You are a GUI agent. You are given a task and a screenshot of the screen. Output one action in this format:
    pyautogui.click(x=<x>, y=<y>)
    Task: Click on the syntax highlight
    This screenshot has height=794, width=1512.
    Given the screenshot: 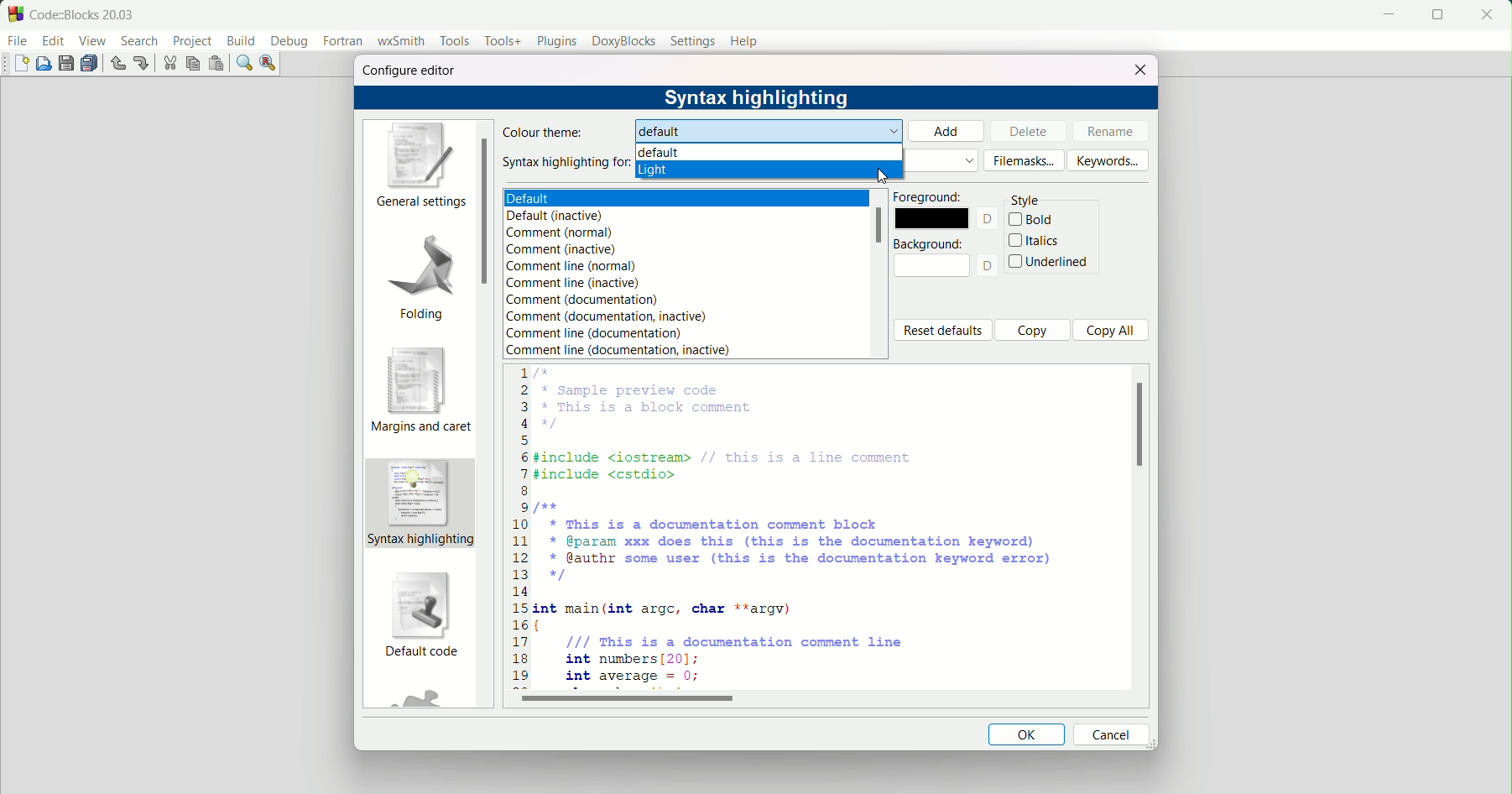 What is the action you would take?
    pyautogui.click(x=759, y=97)
    